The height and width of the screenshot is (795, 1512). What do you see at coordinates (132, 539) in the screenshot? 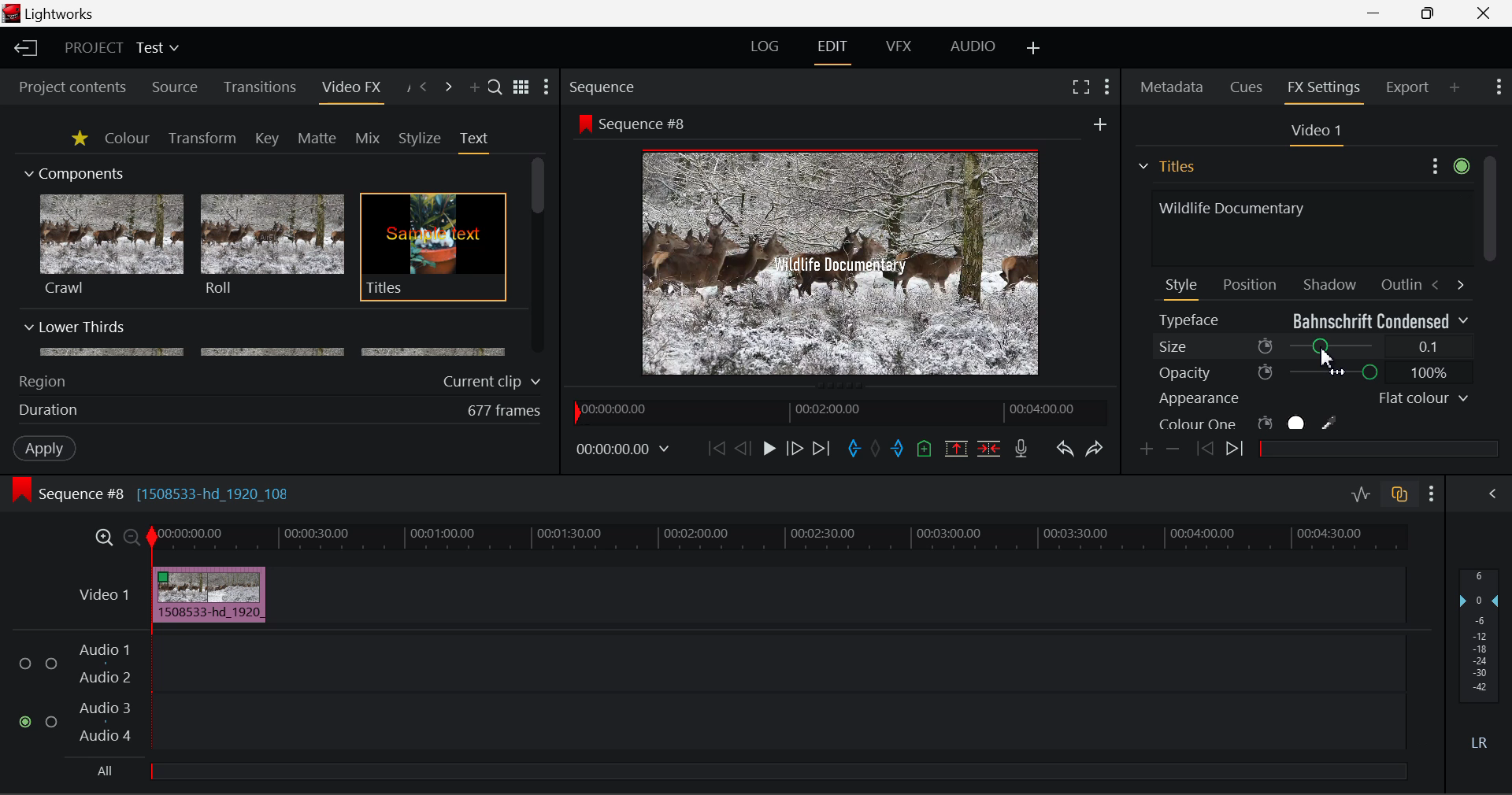
I see `Zoom Out Timeline` at bounding box center [132, 539].